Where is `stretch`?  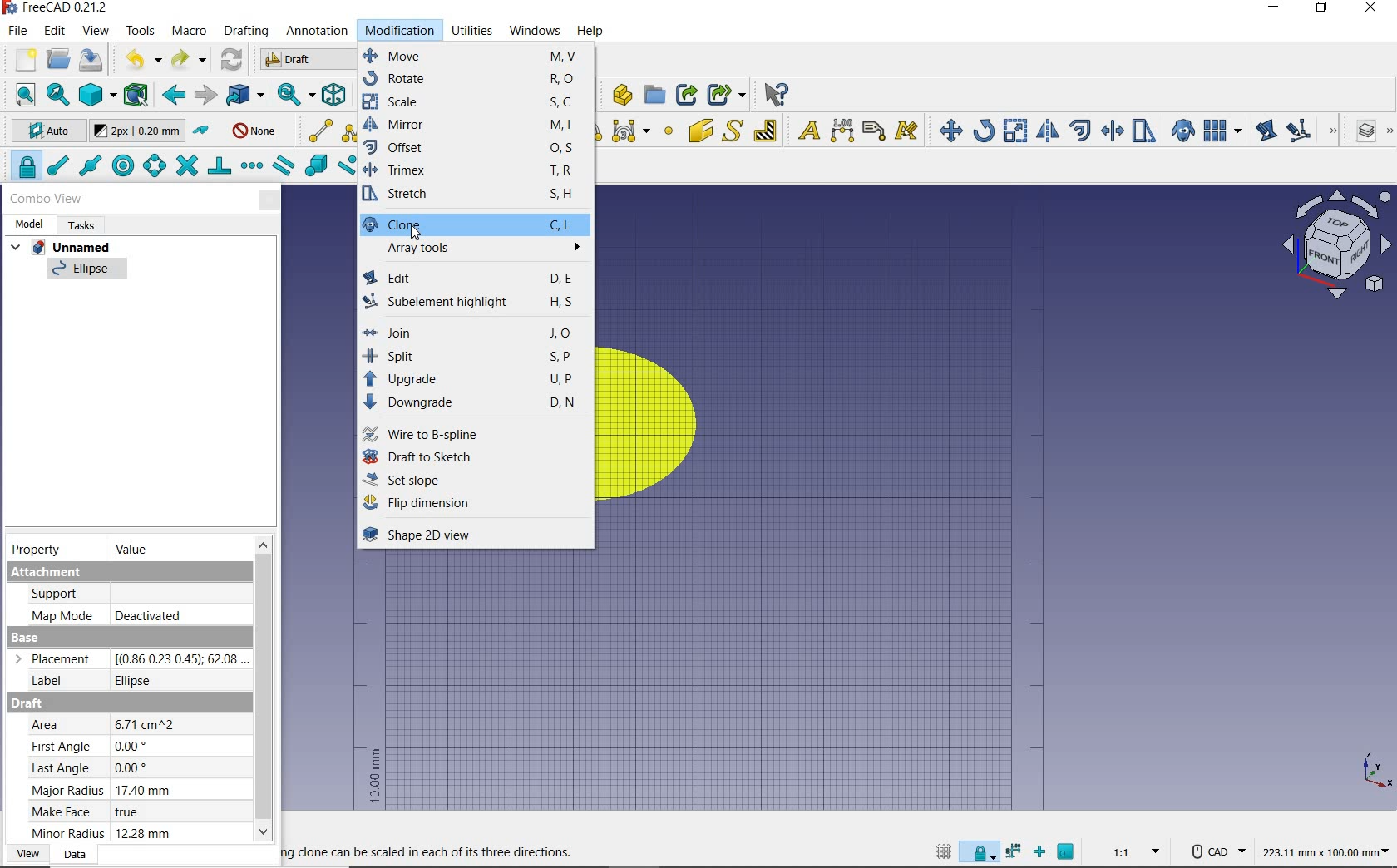 stretch is located at coordinates (1143, 131).